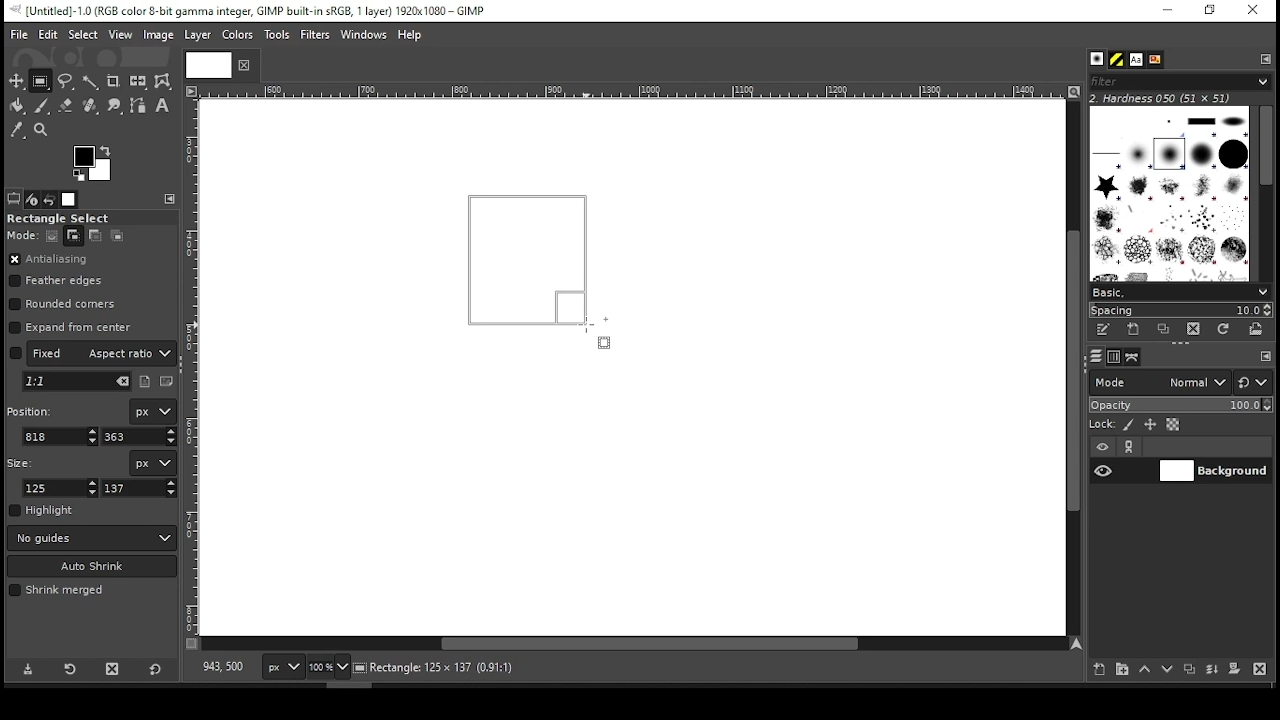 The image size is (1280, 720). Describe the element at coordinates (146, 381) in the screenshot. I see `portrait` at that location.